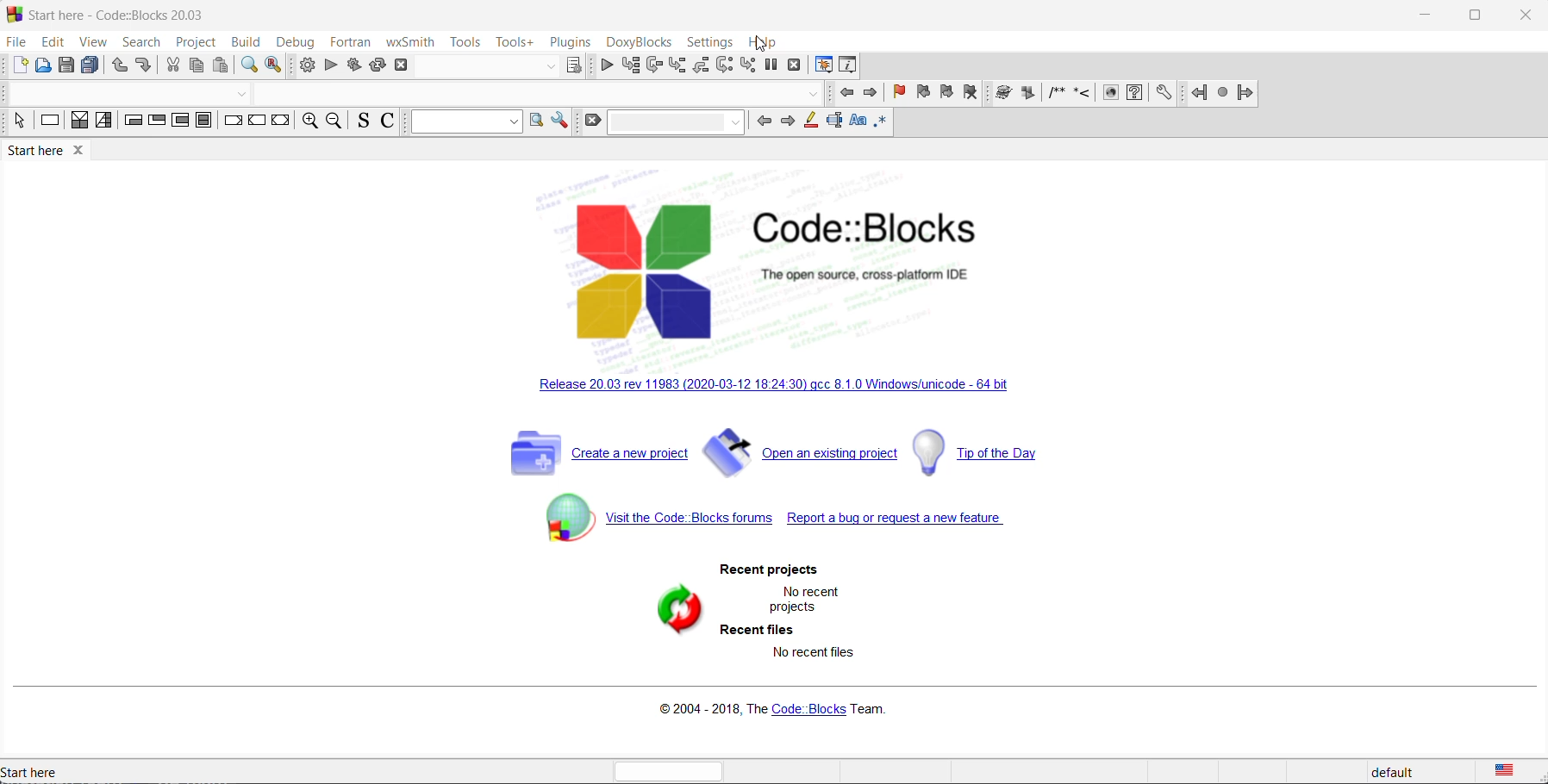 The width and height of the screenshot is (1548, 784). I want to click on file, so click(18, 43).